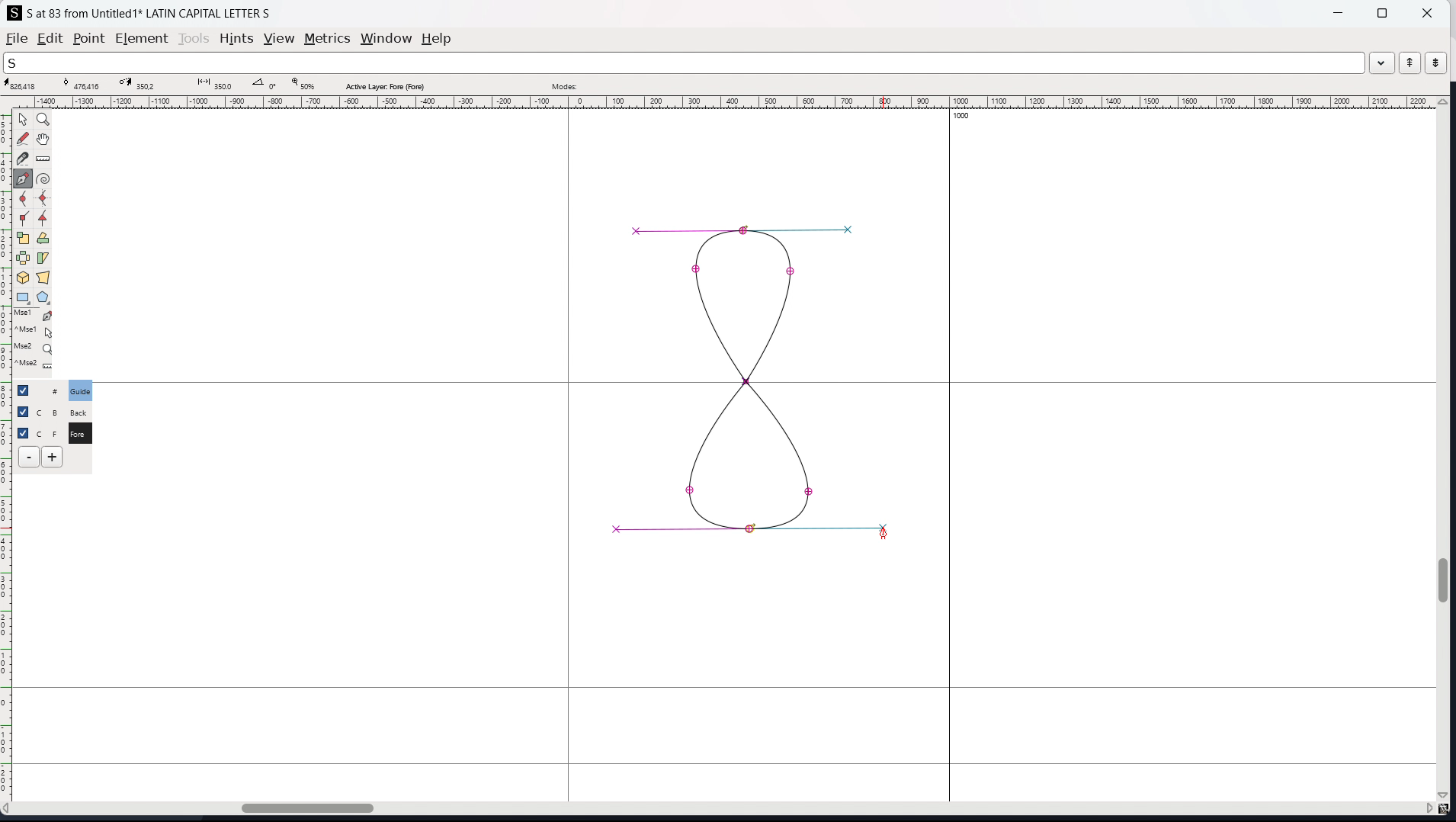 The image size is (1456, 822). Describe the element at coordinates (43, 219) in the screenshot. I see `add a tangent point` at that location.